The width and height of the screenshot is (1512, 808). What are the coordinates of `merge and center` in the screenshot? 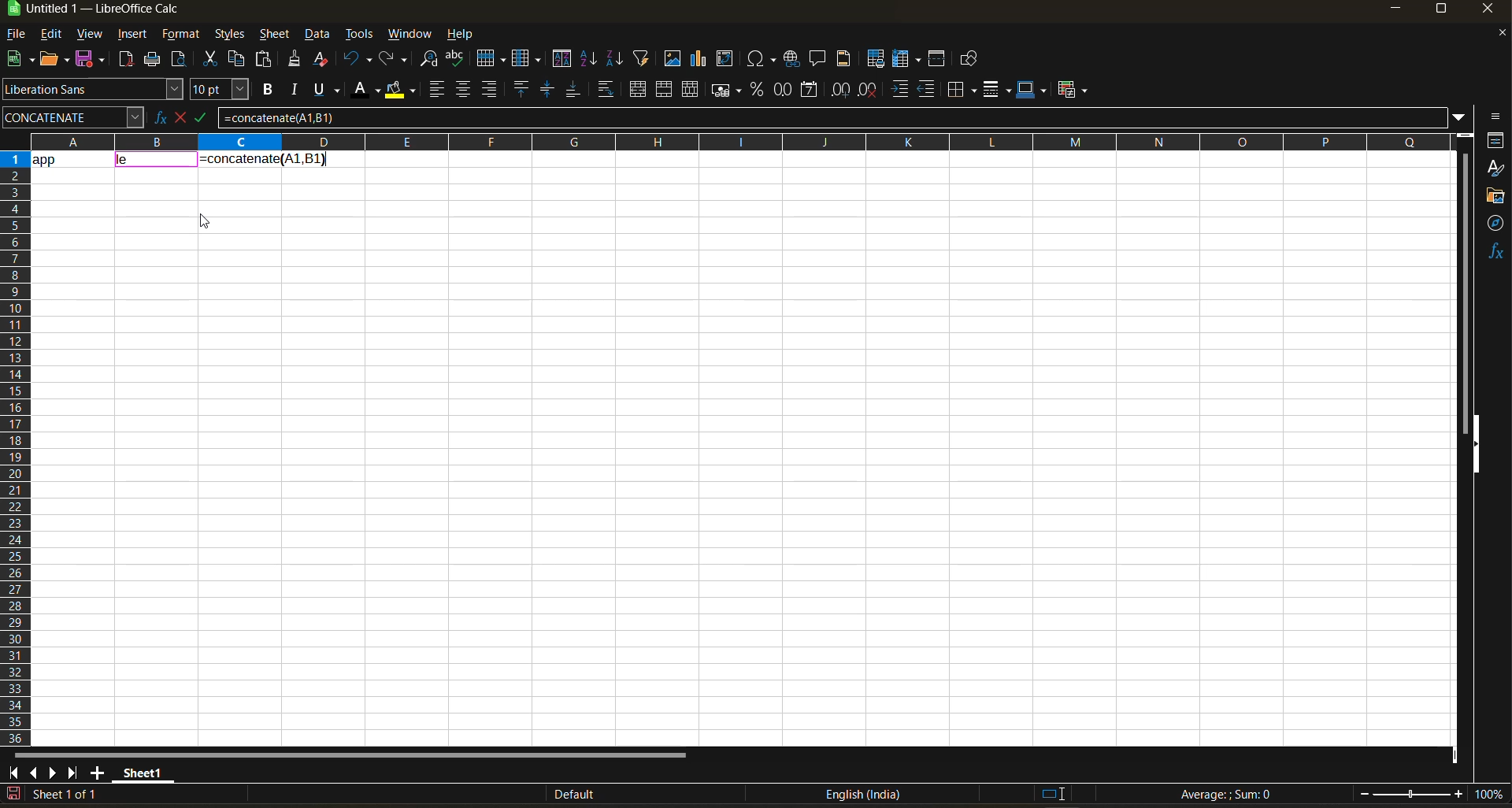 It's located at (638, 91).